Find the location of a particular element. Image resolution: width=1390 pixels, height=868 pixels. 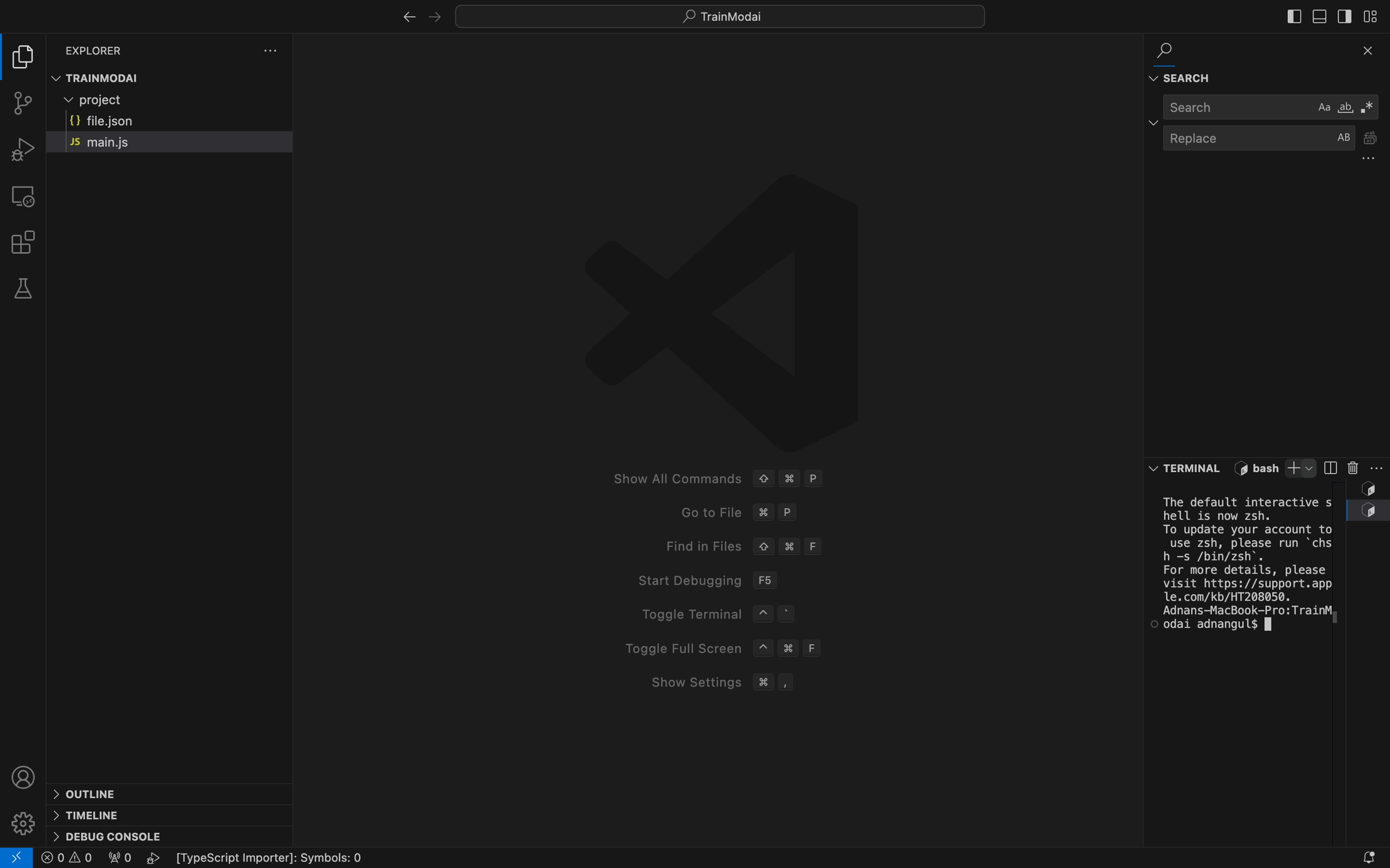

Logo is located at coordinates (725, 307).